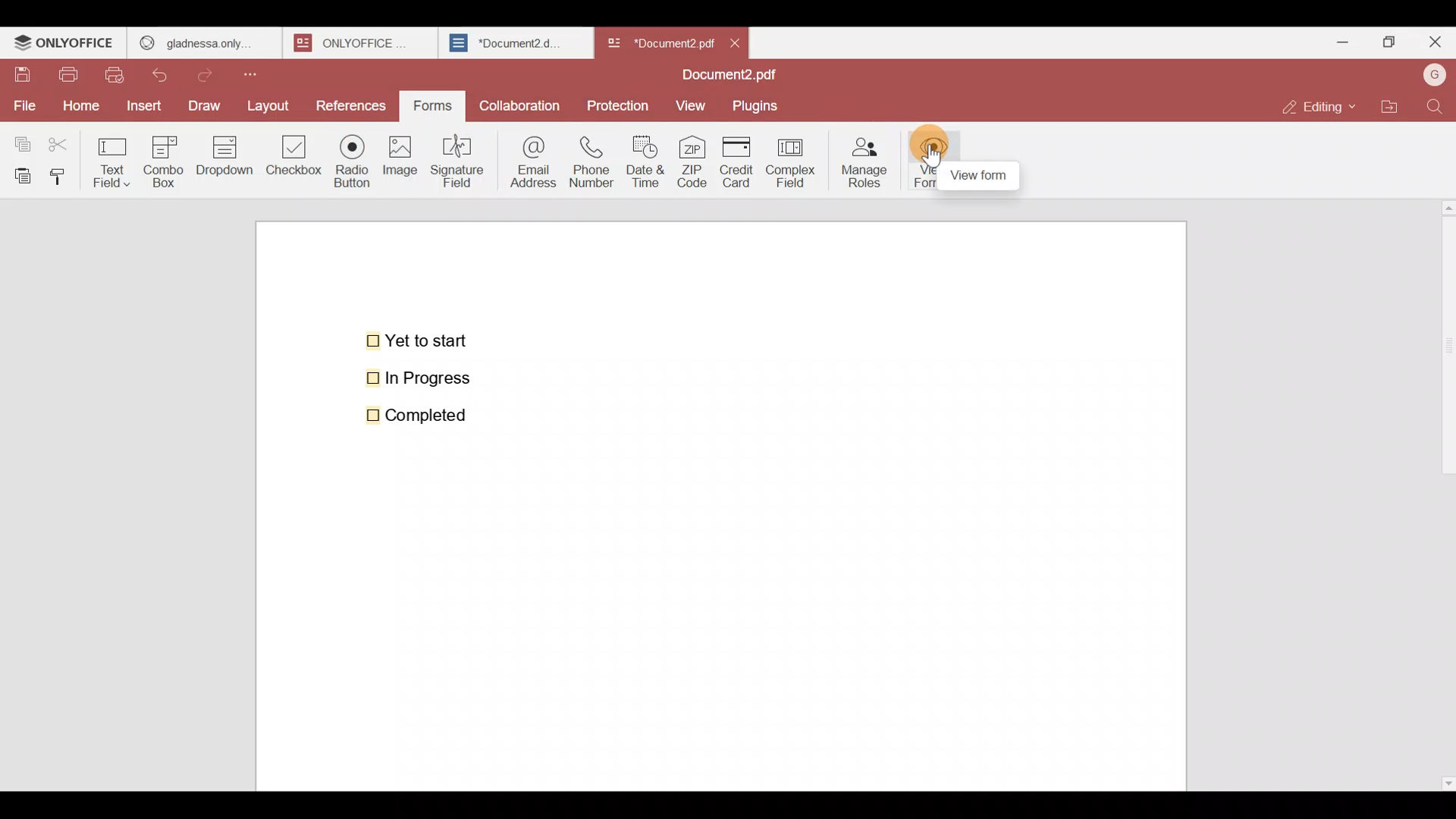 The width and height of the screenshot is (1456, 819). What do you see at coordinates (1386, 41) in the screenshot?
I see `Maximize` at bounding box center [1386, 41].